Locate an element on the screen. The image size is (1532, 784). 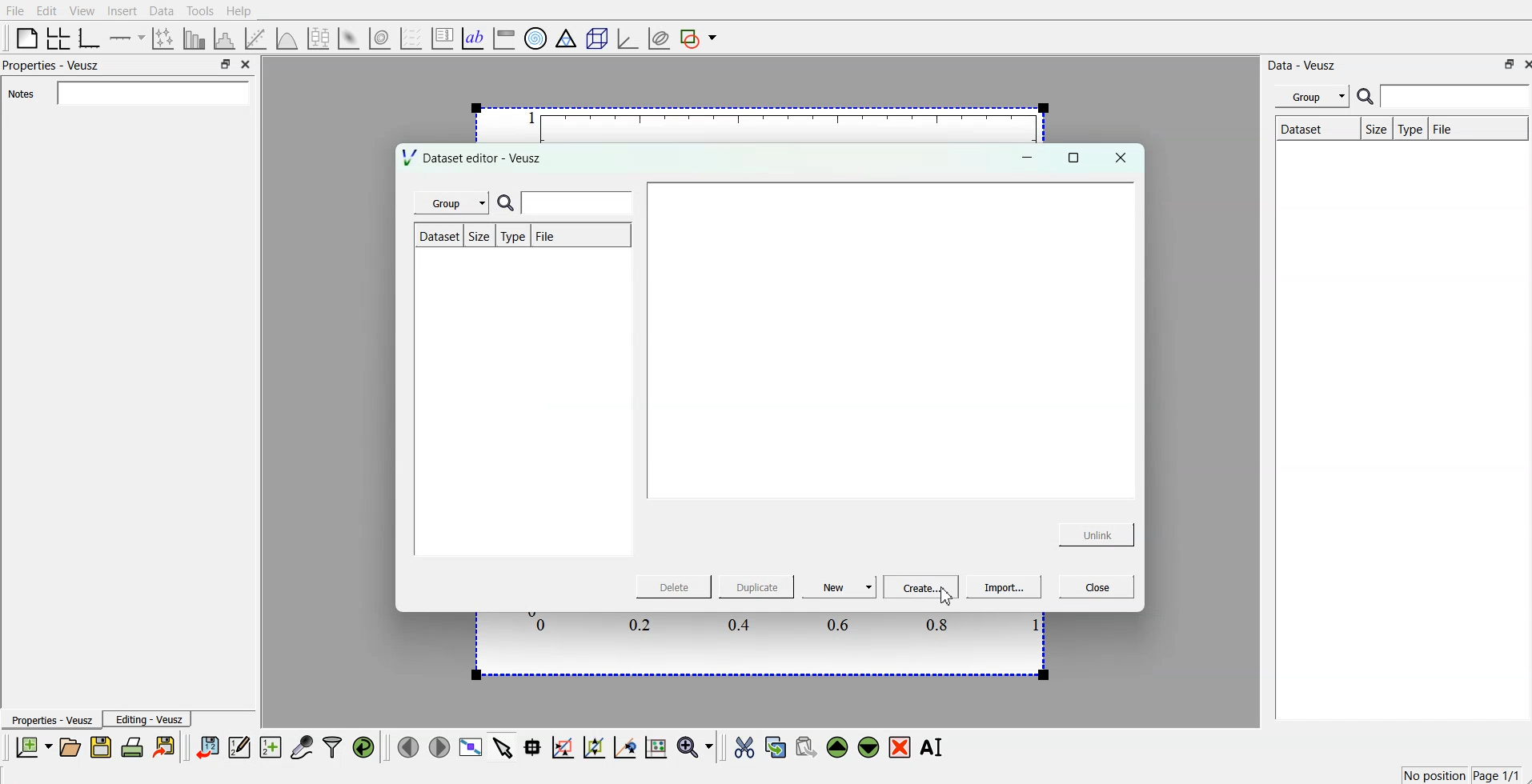
Type is located at coordinates (1410, 128).